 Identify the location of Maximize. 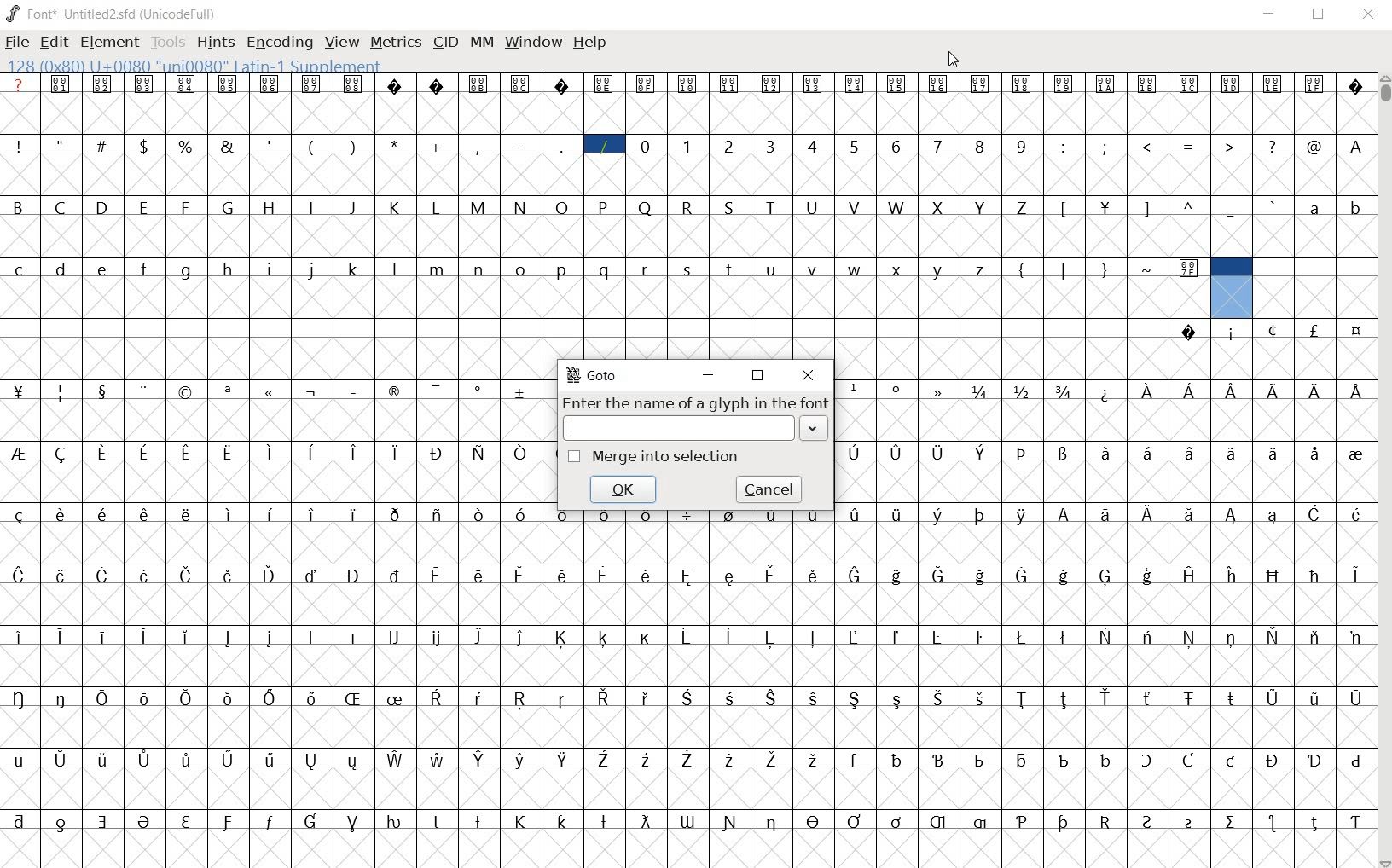
(1322, 17).